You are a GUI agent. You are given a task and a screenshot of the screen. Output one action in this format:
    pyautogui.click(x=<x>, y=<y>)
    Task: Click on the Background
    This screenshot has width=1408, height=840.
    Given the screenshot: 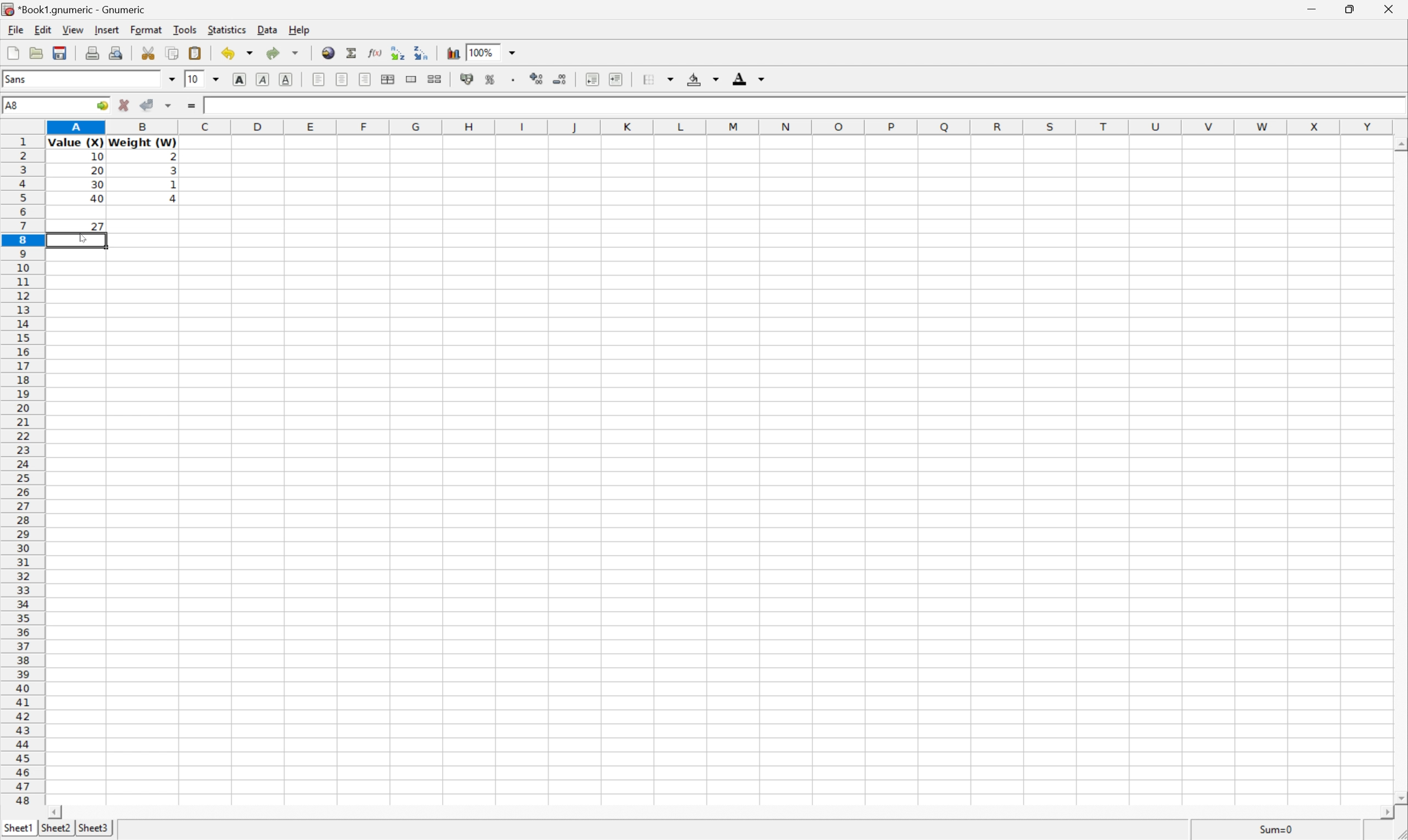 What is the action you would take?
    pyautogui.click(x=703, y=78)
    